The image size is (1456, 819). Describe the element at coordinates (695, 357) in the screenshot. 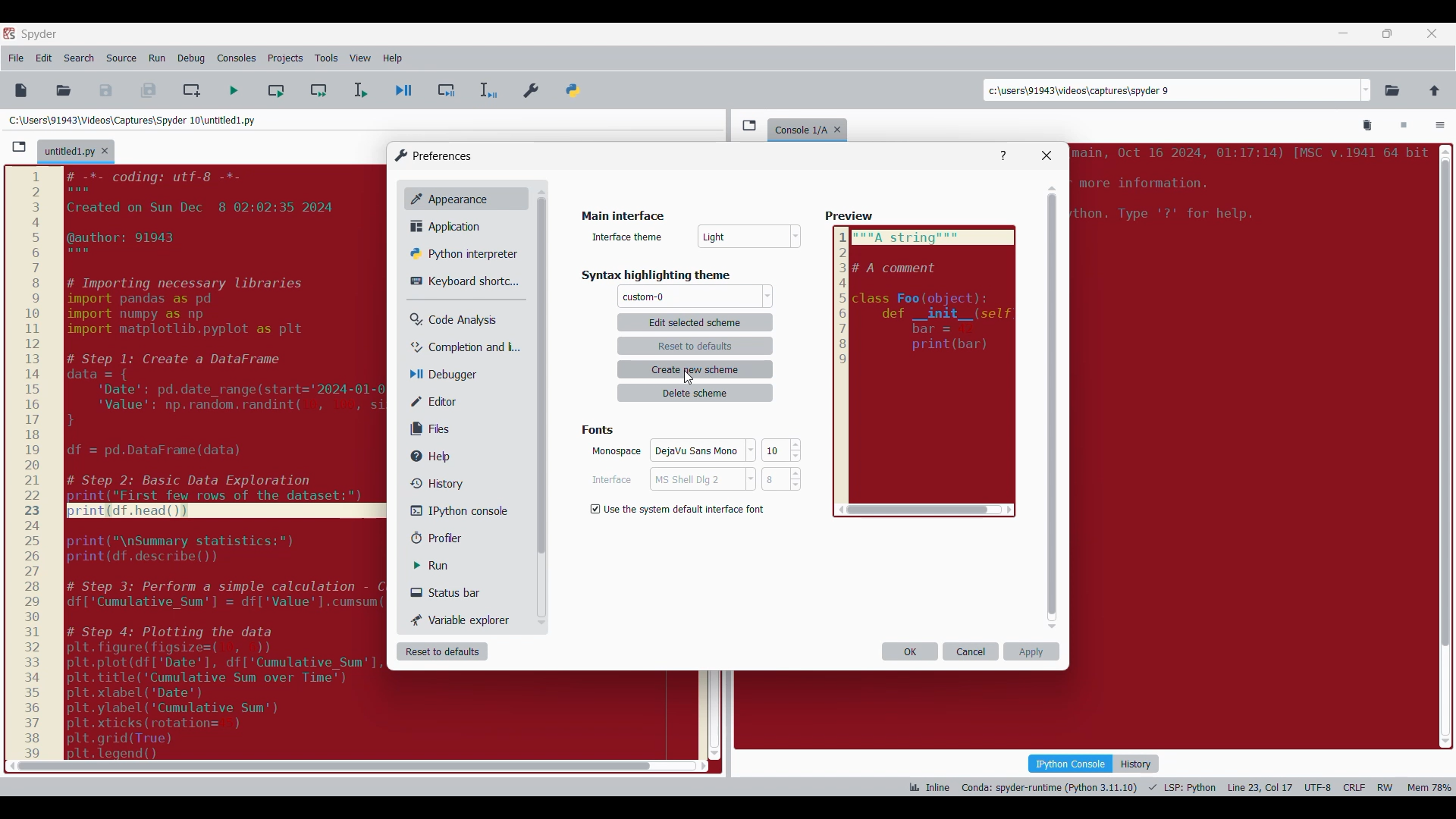

I see `Theme settings` at that location.